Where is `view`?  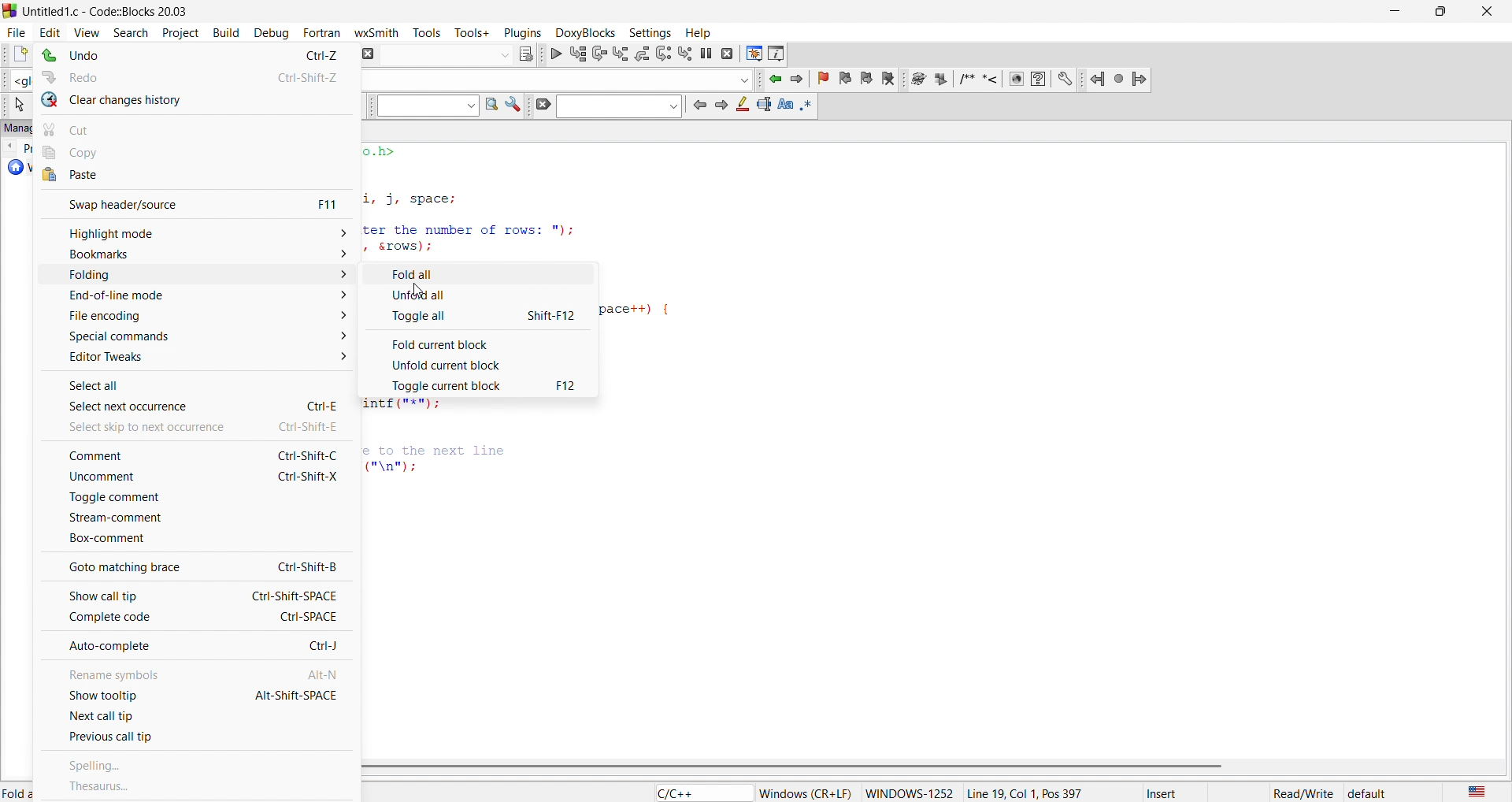
view is located at coordinates (87, 31).